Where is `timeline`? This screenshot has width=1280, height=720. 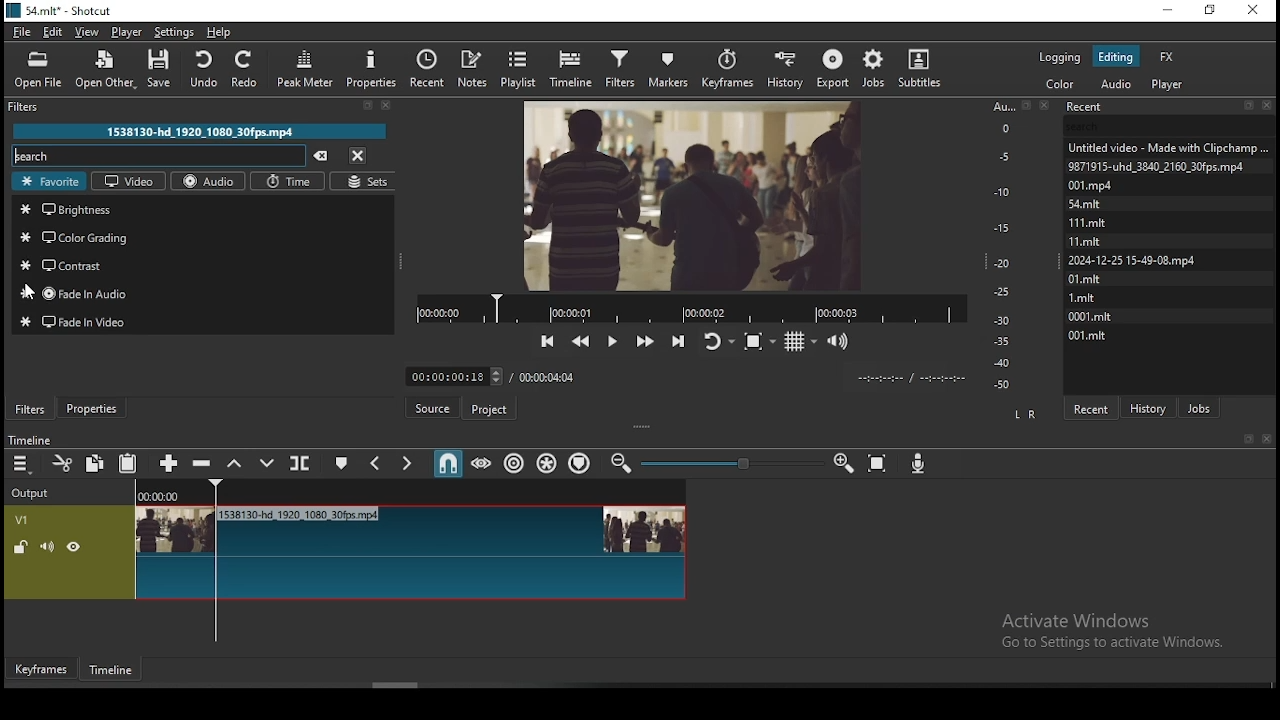 timeline is located at coordinates (574, 68).